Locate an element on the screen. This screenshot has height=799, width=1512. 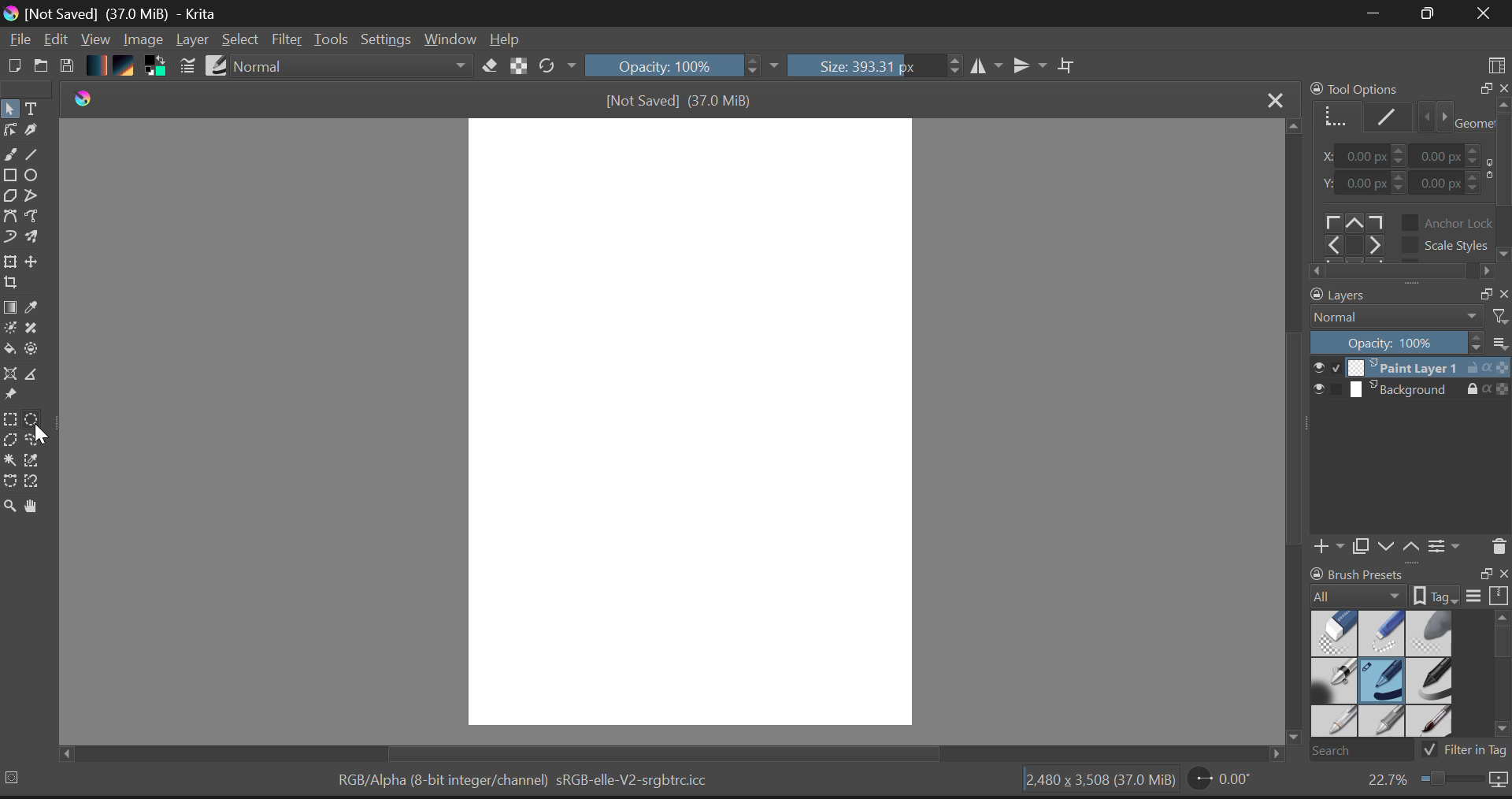
Polygon Selection is located at coordinates (13, 443).